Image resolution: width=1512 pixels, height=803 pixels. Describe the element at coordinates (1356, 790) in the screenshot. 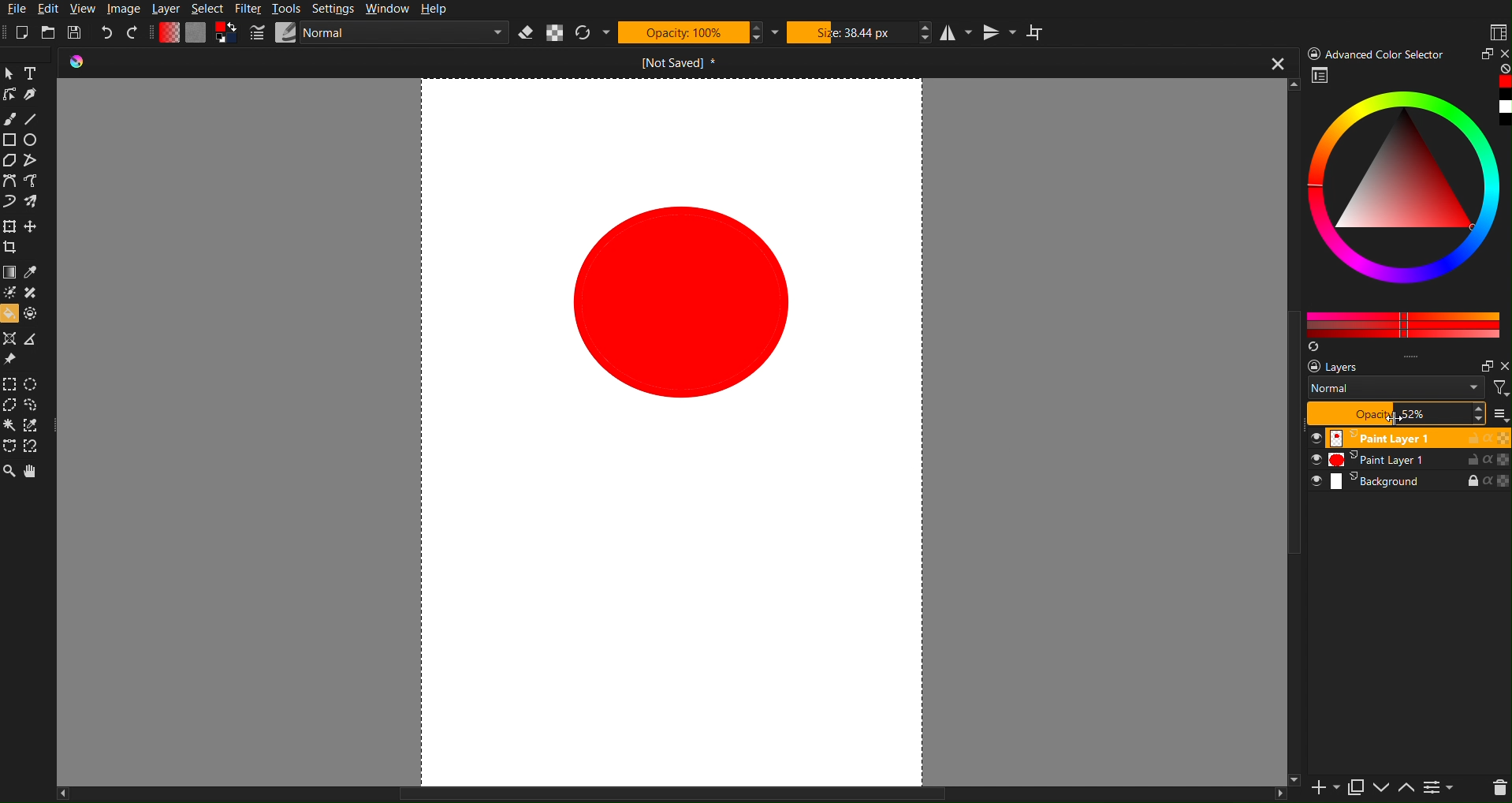

I see `Copy` at that location.